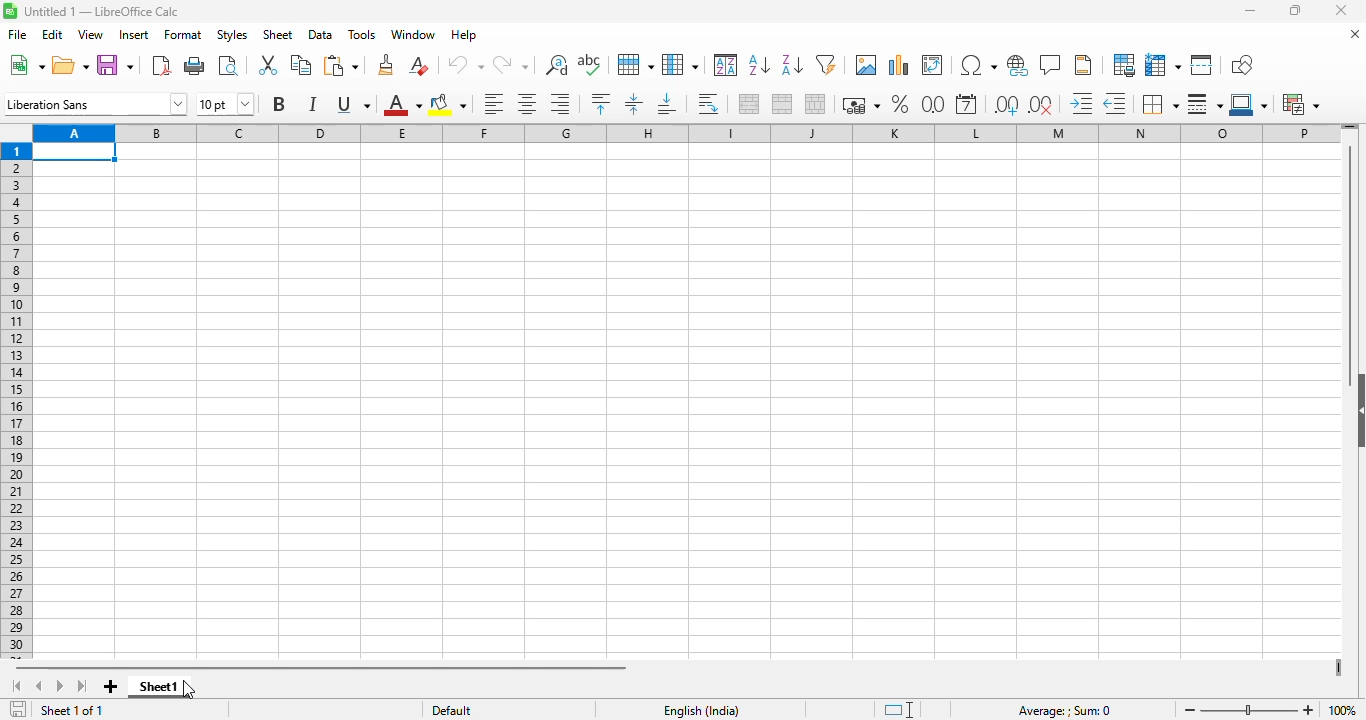 The width and height of the screenshot is (1366, 720). I want to click on minimize, so click(1251, 11).